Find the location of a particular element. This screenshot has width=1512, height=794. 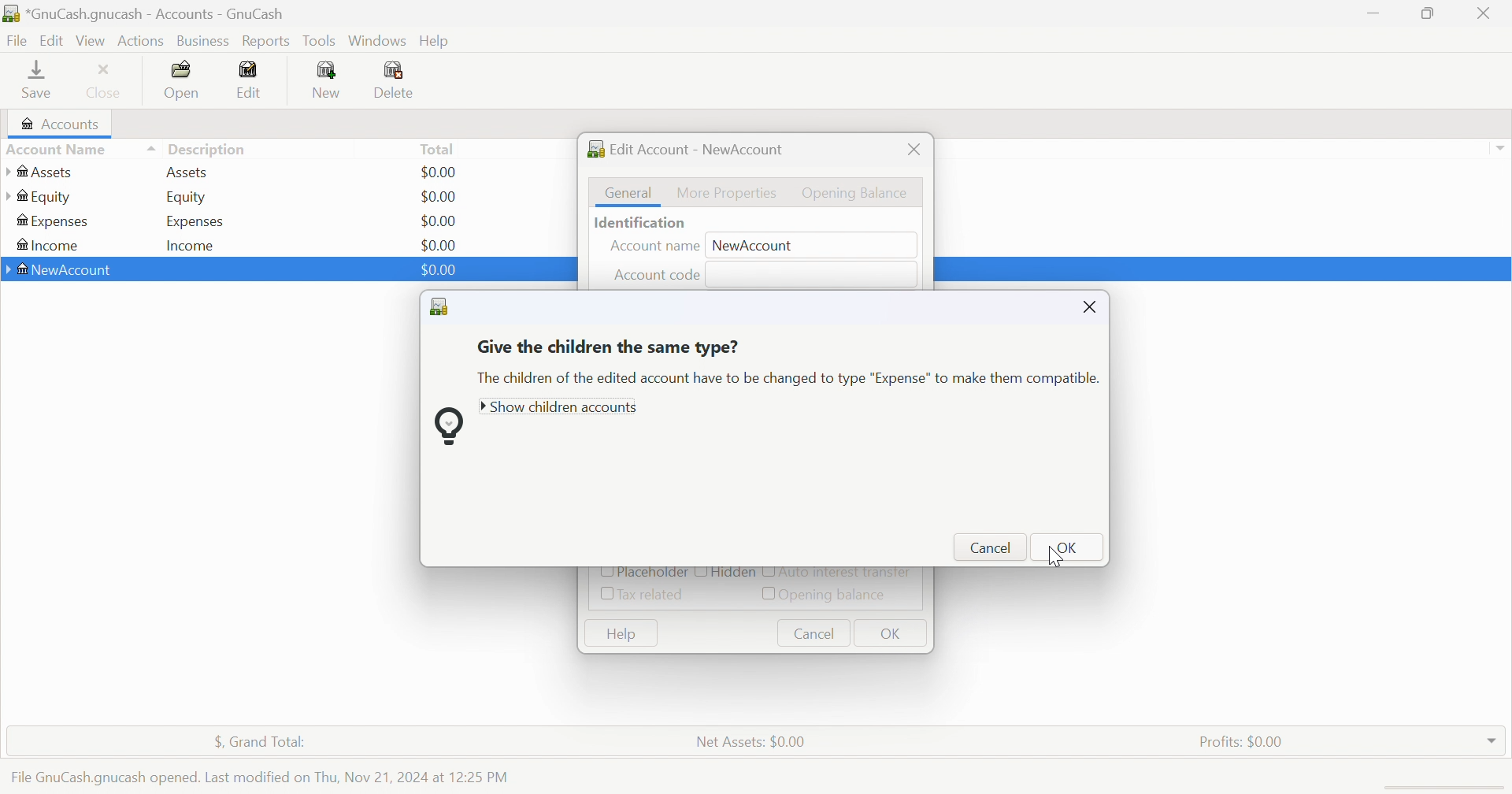

Expenses is located at coordinates (54, 222).